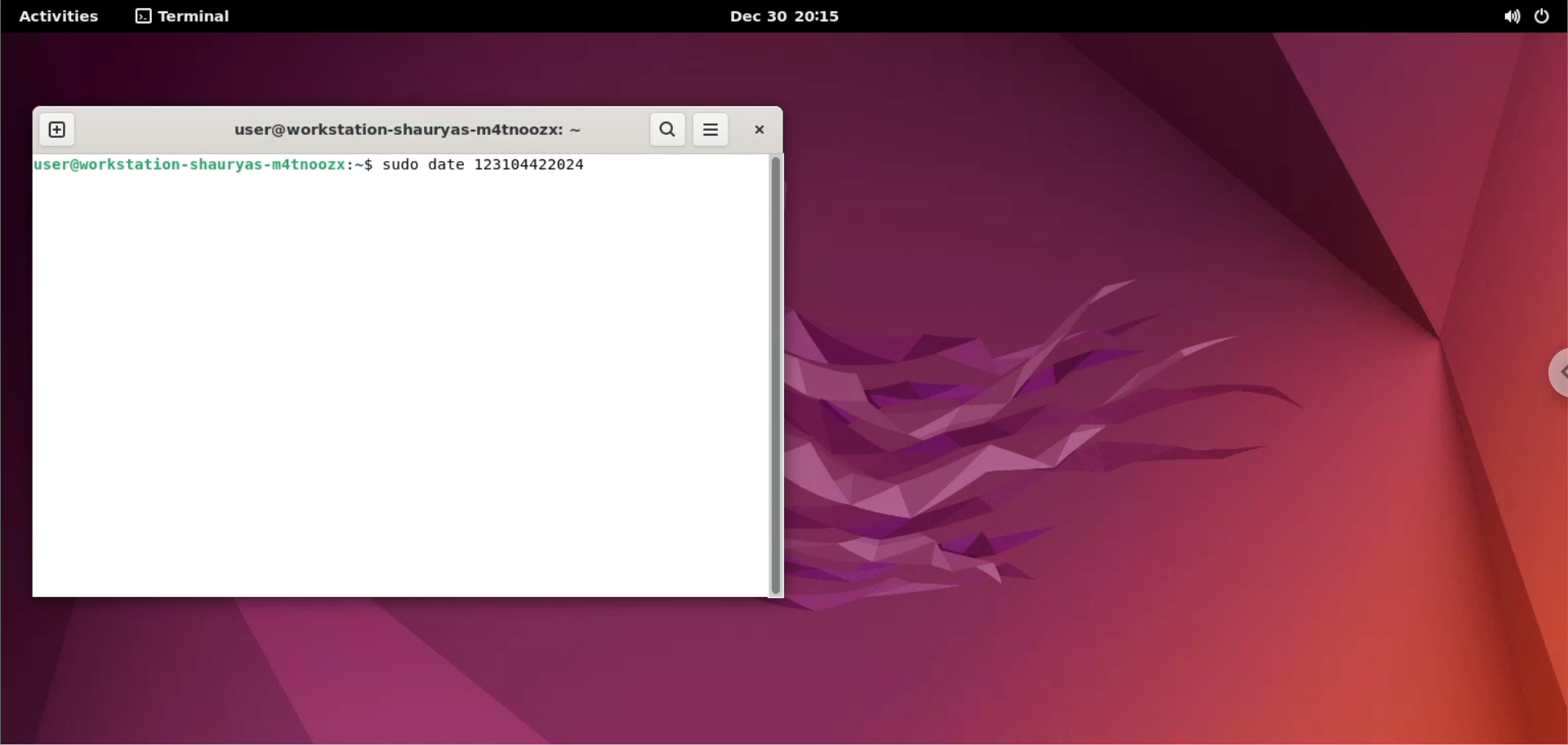  I want to click on scrollbar, so click(775, 377).